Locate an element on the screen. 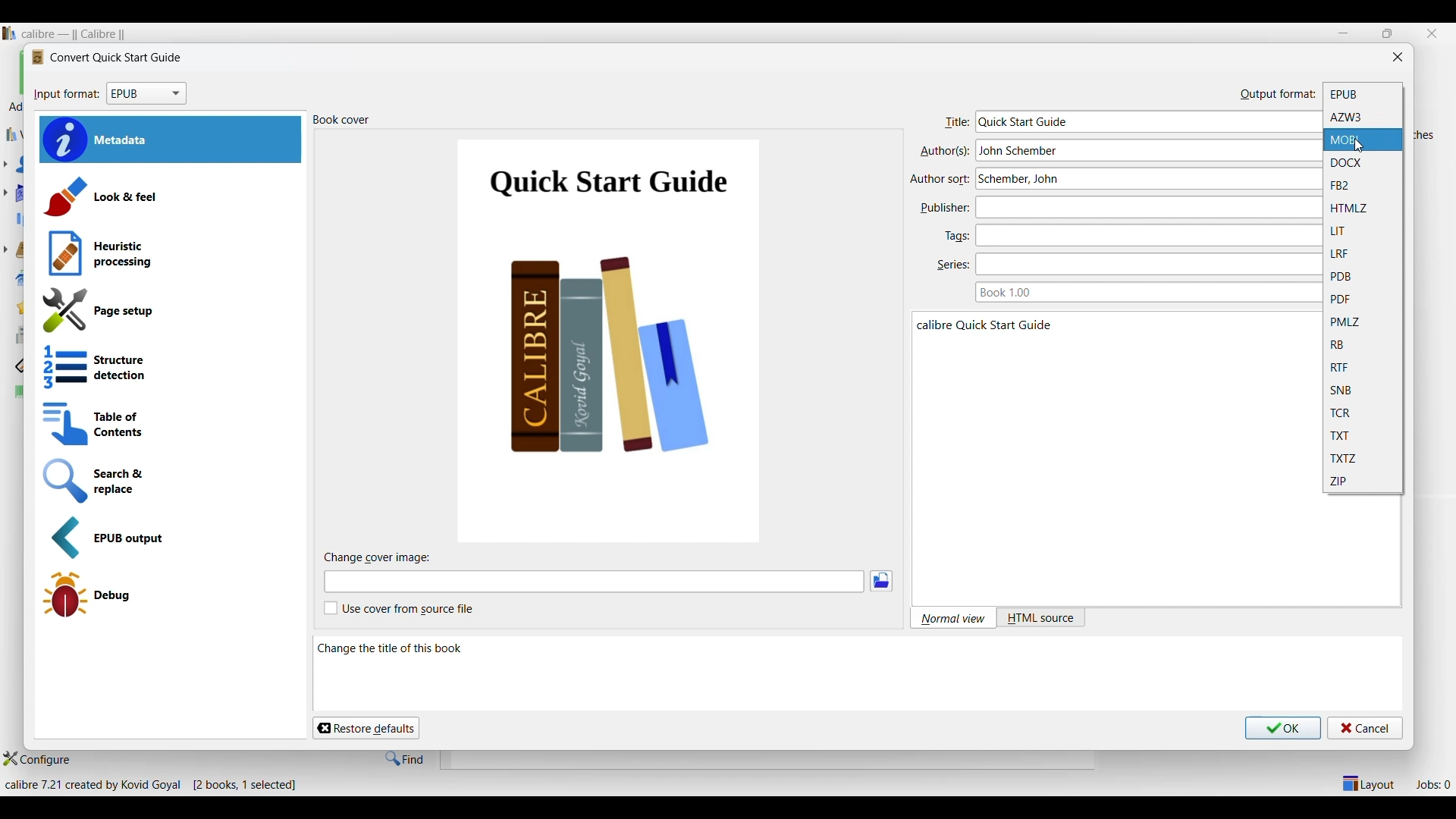 This screenshot has width=1456, height=819. Type in title is located at coordinates (1144, 121).